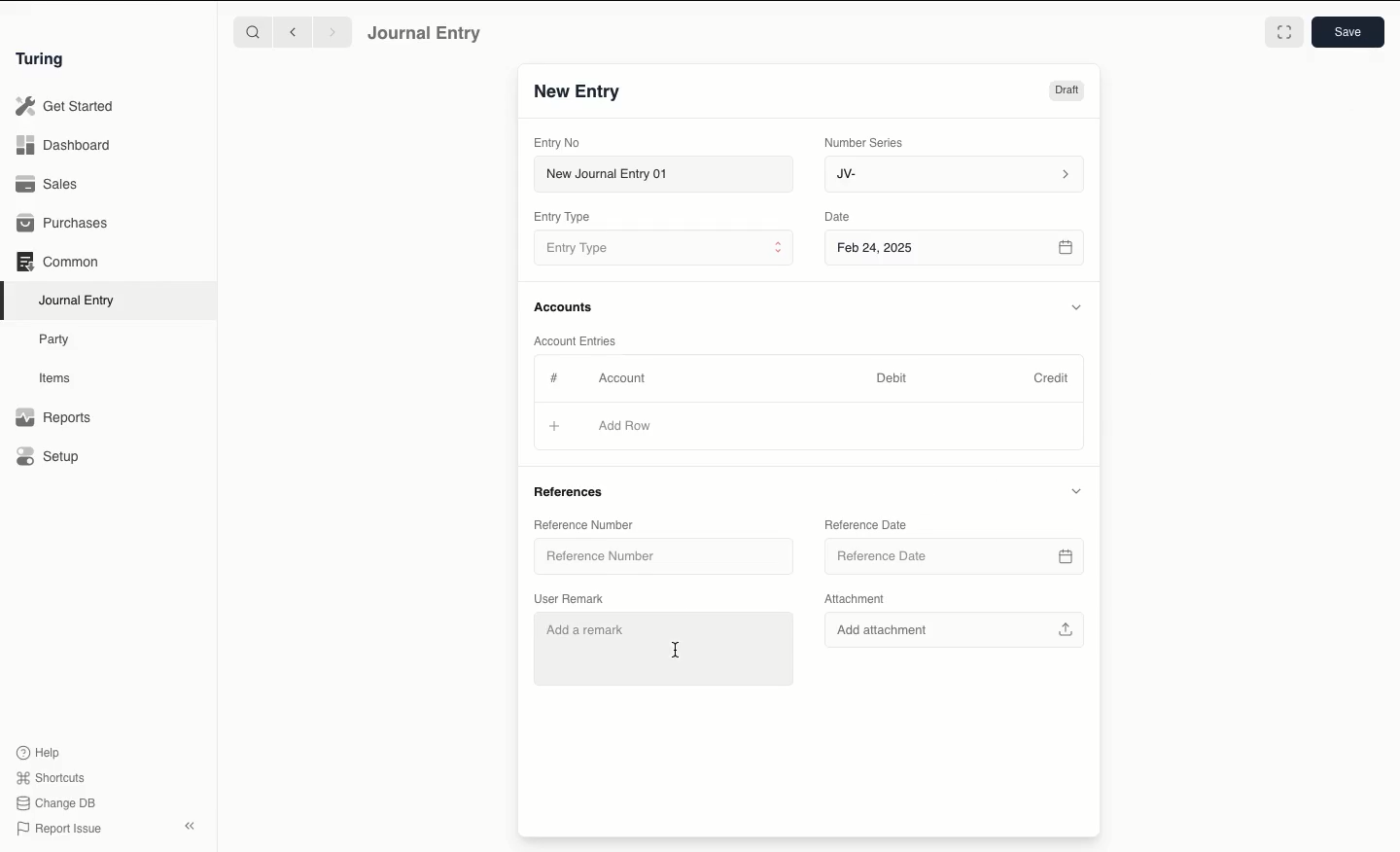 The width and height of the screenshot is (1400, 852). Describe the element at coordinates (663, 247) in the screenshot. I see `Entry Type` at that location.